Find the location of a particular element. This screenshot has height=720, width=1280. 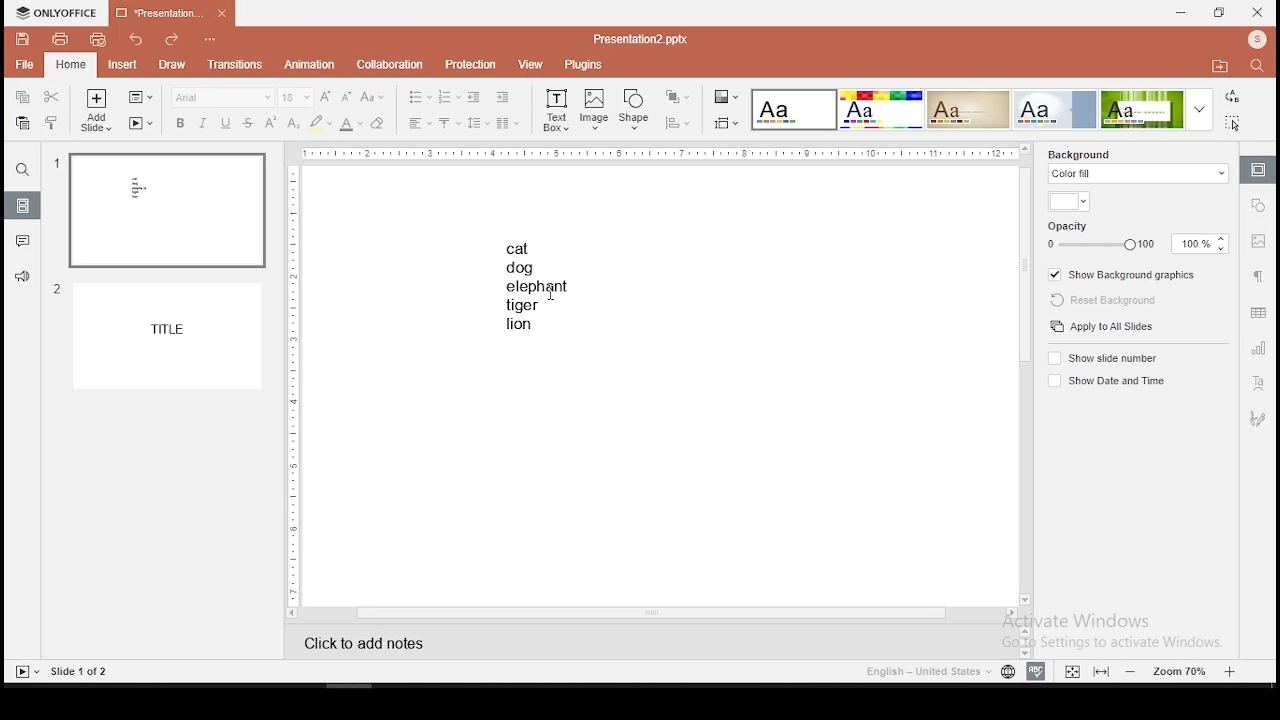

presentation is located at coordinates (168, 13).